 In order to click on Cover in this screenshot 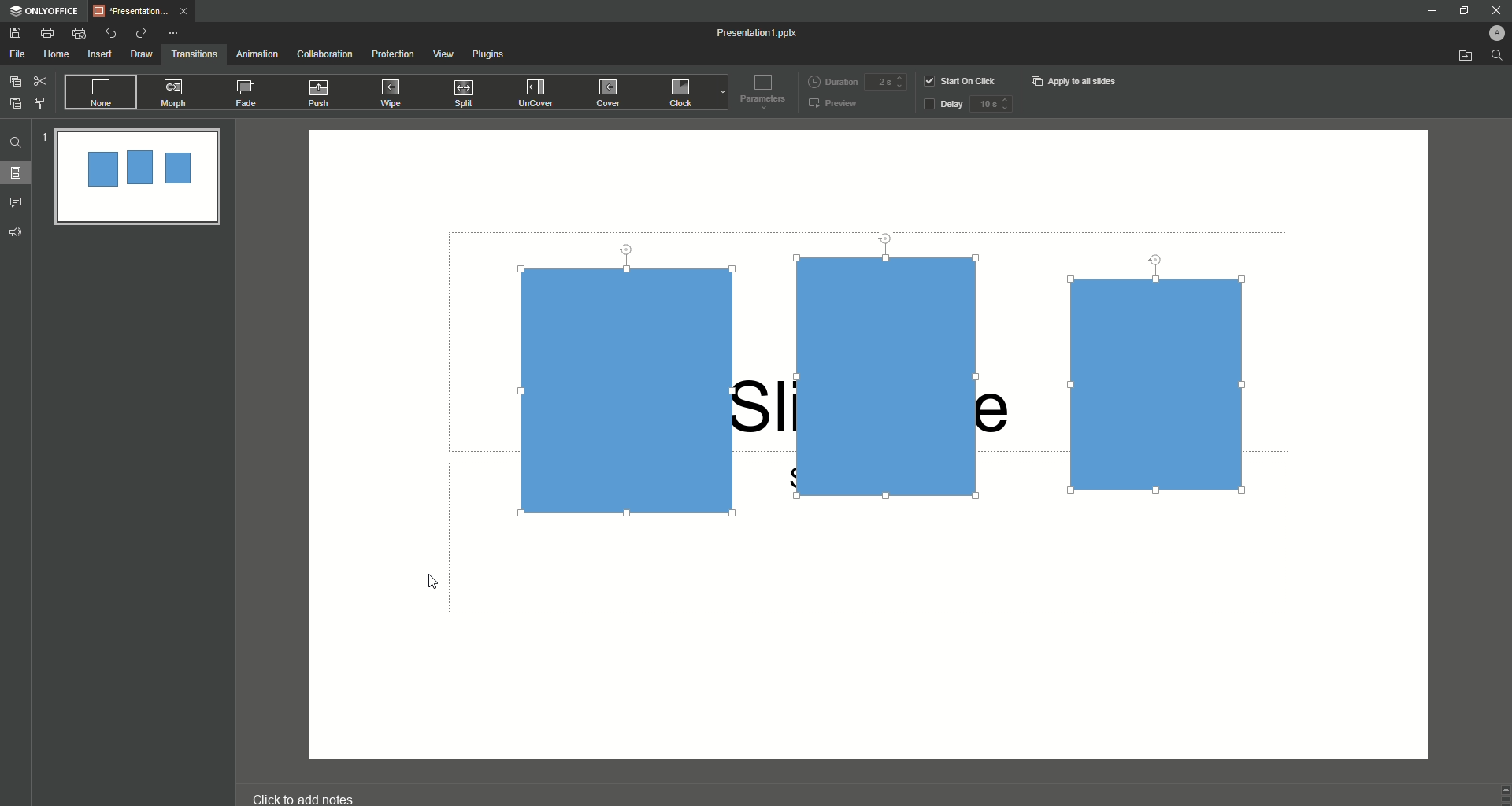, I will do `click(610, 92)`.